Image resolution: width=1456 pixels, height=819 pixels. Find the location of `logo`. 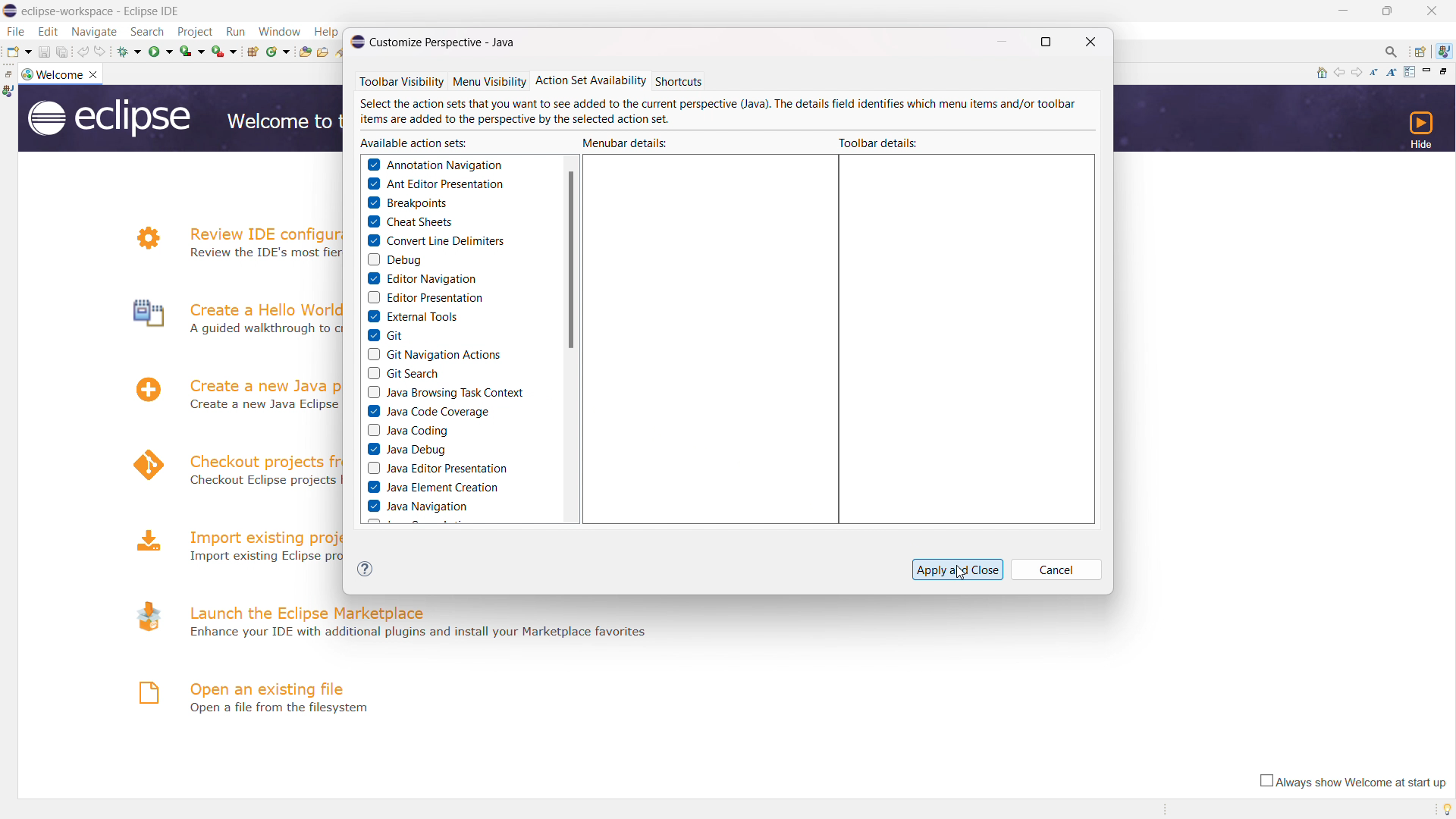

logo is located at coordinates (144, 615).